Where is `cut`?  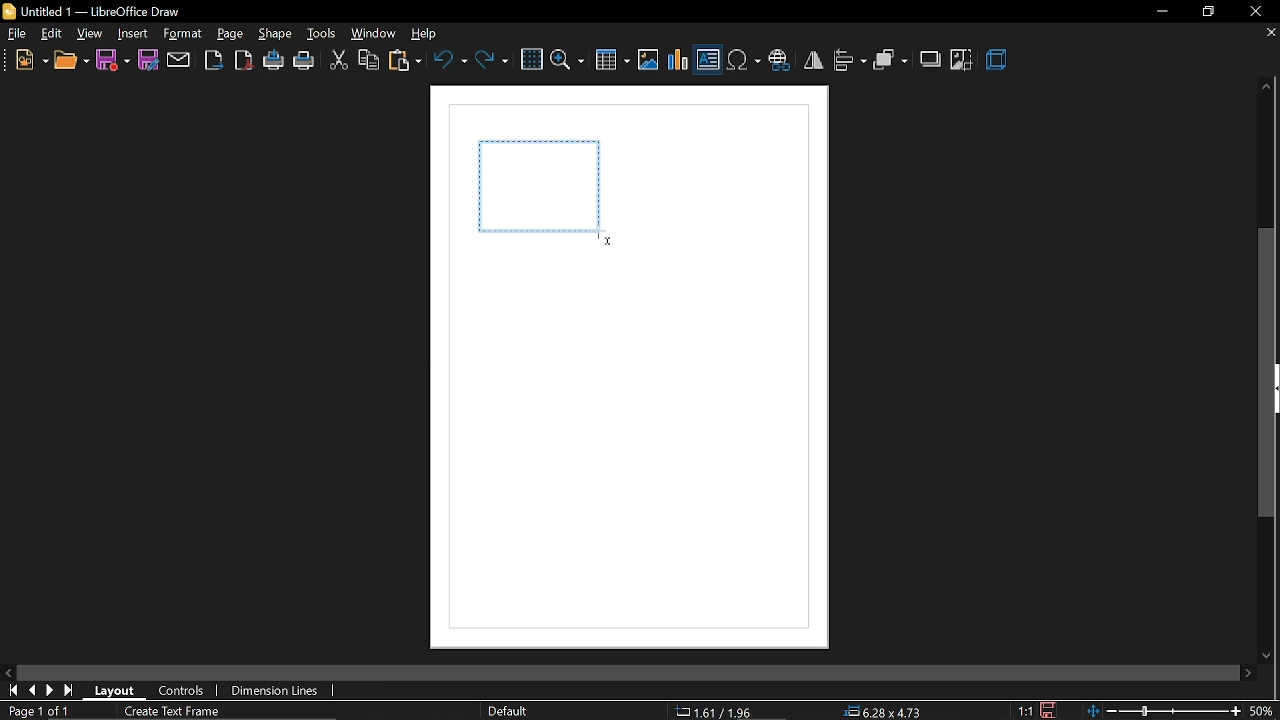 cut is located at coordinates (338, 62).